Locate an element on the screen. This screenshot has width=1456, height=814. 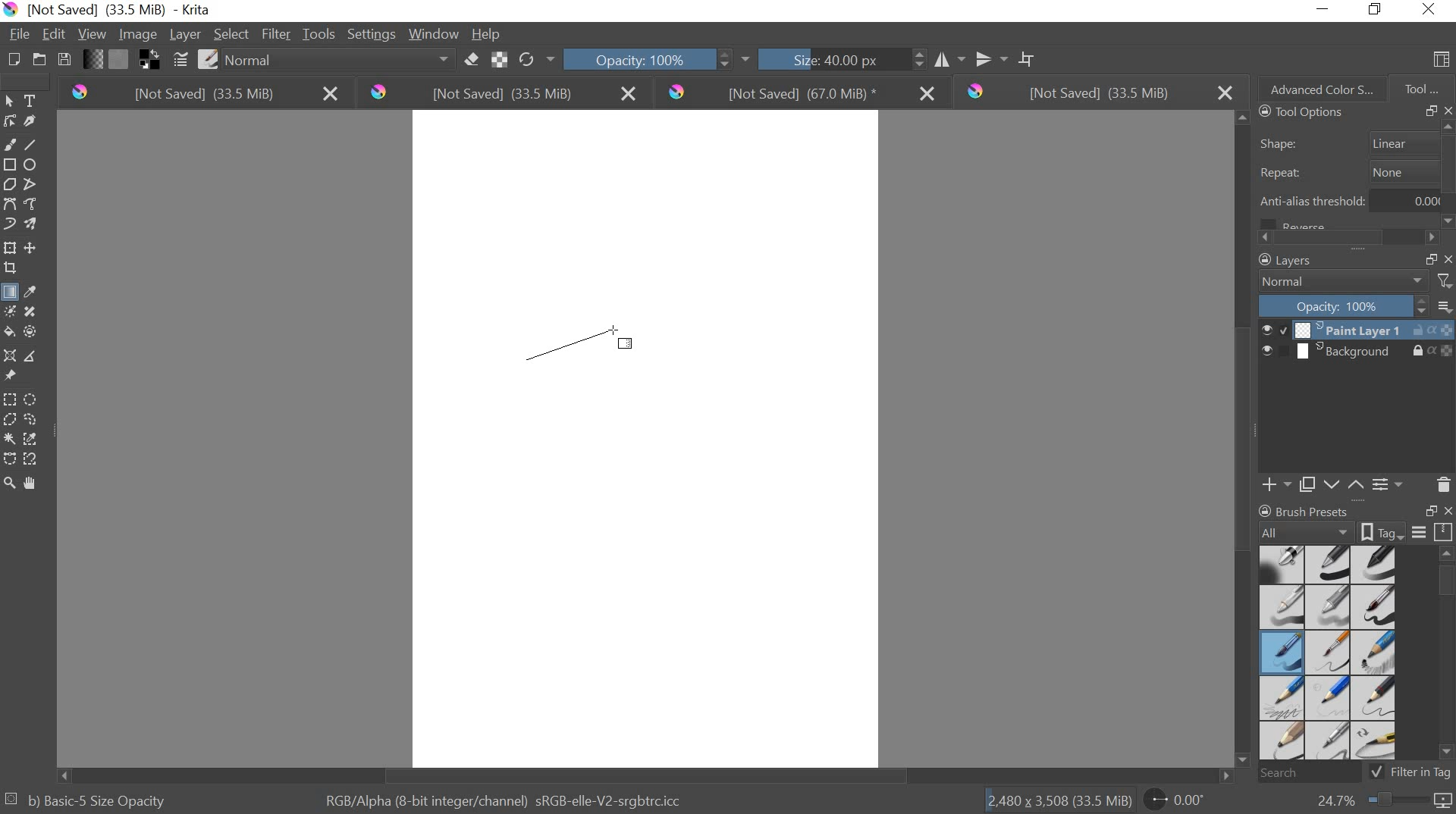
magnetic selection is located at coordinates (33, 459).